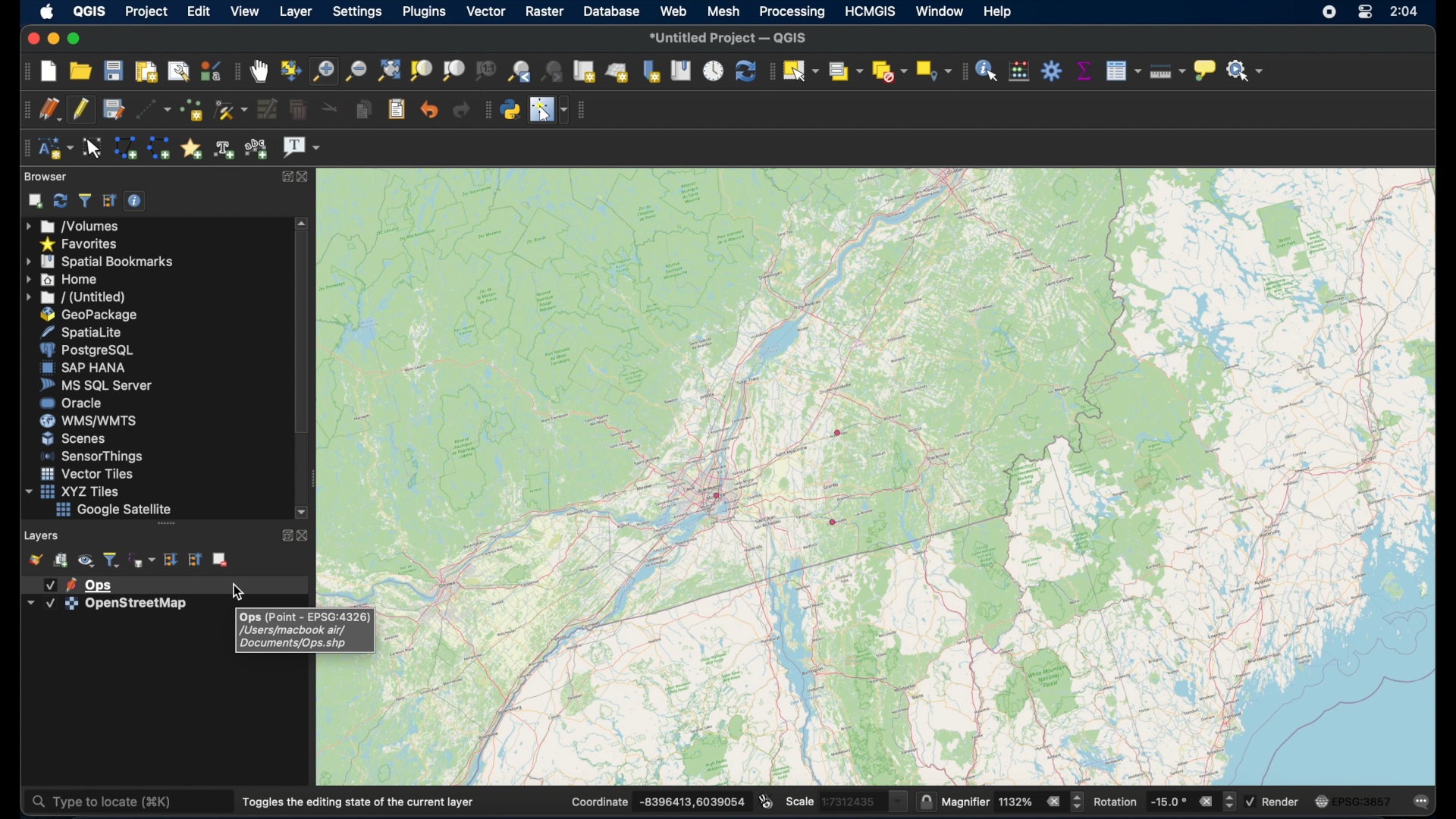  I want to click on zoom next, so click(551, 72).